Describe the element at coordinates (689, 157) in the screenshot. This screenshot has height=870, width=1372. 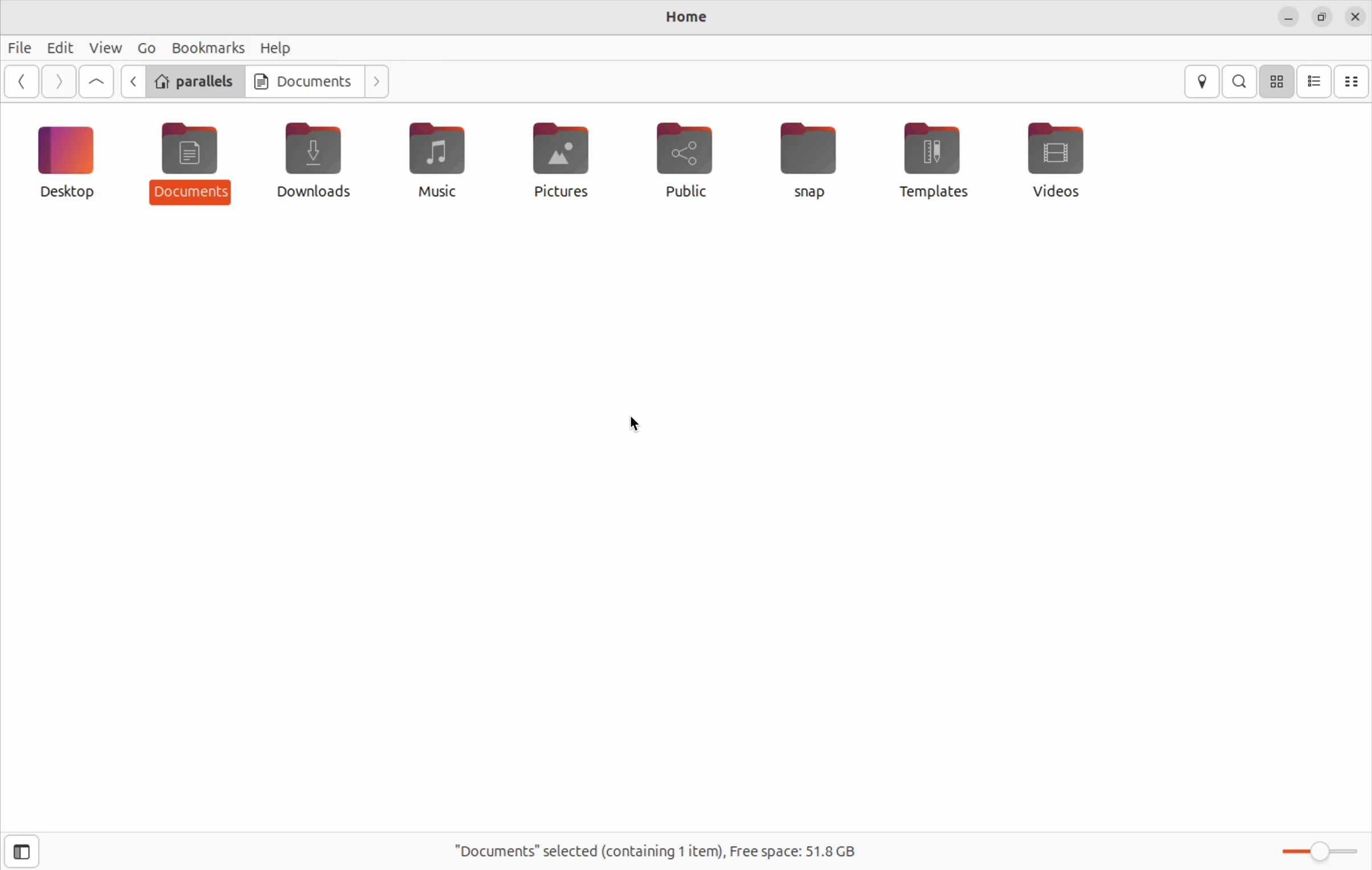
I see `Public` at that location.